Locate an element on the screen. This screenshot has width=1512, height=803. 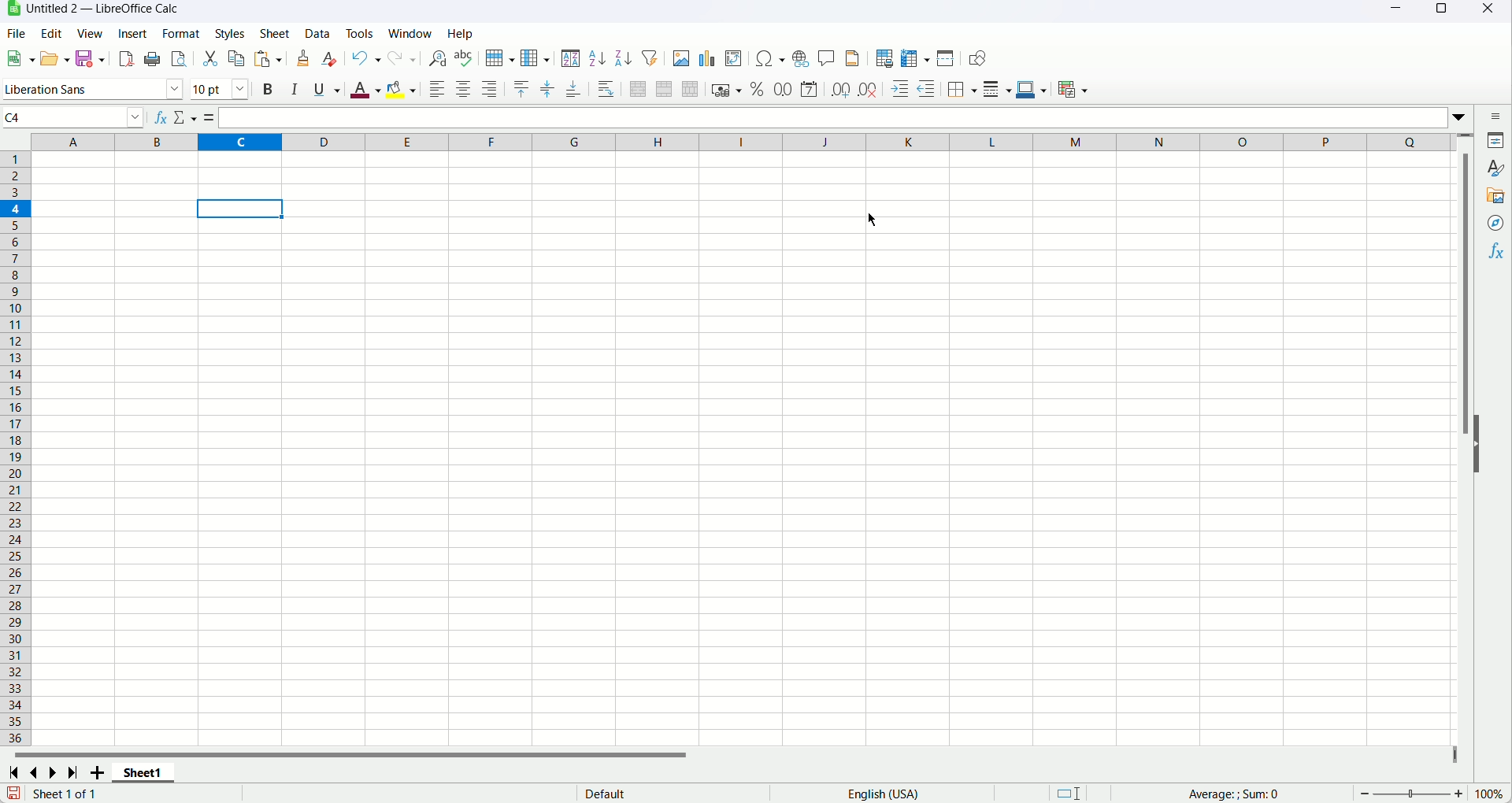
File is located at coordinates (15, 33).